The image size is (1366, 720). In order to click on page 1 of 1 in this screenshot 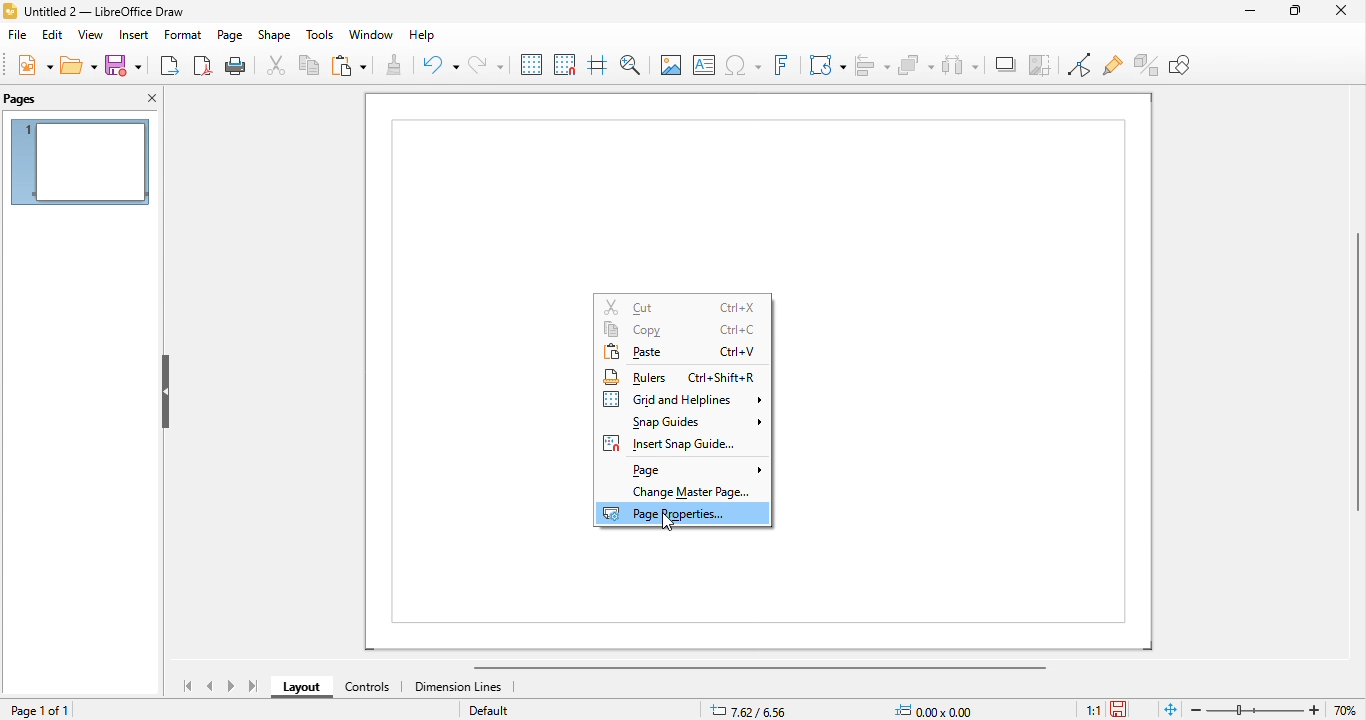, I will do `click(44, 710)`.